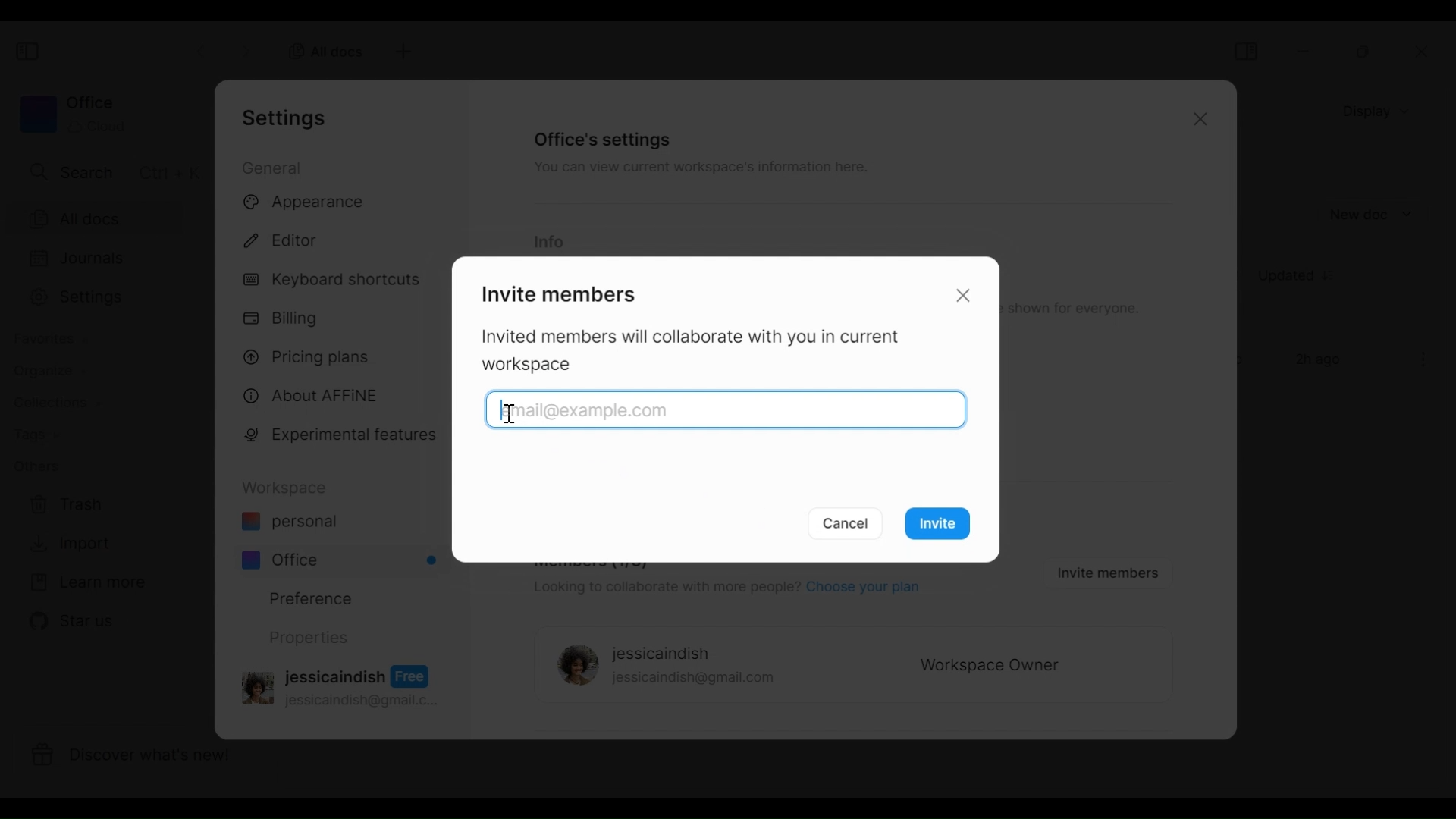 This screenshot has height=819, width=1456. I want to click on collections, so click(57, 403).